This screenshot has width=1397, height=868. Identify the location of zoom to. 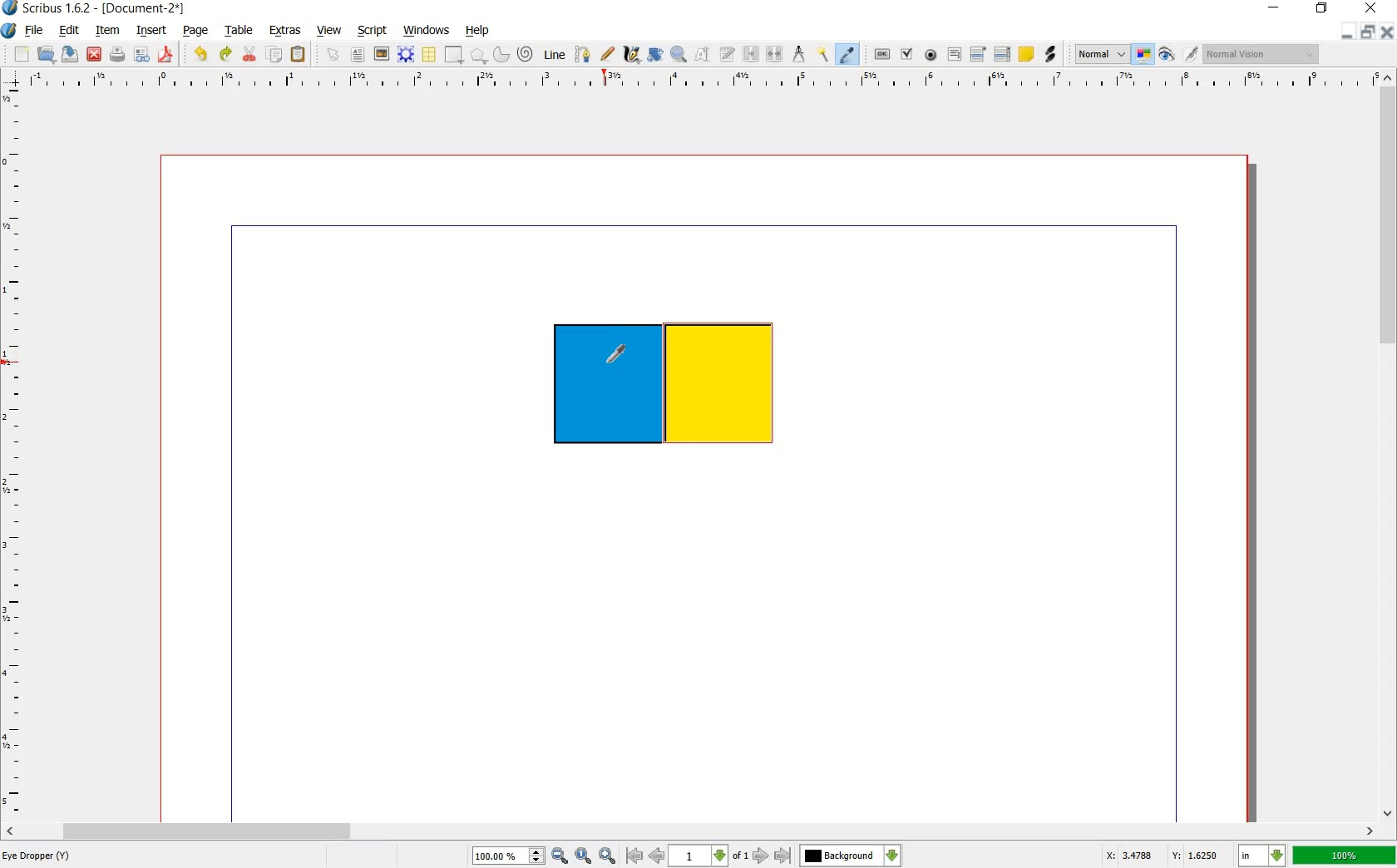
(584, 854).